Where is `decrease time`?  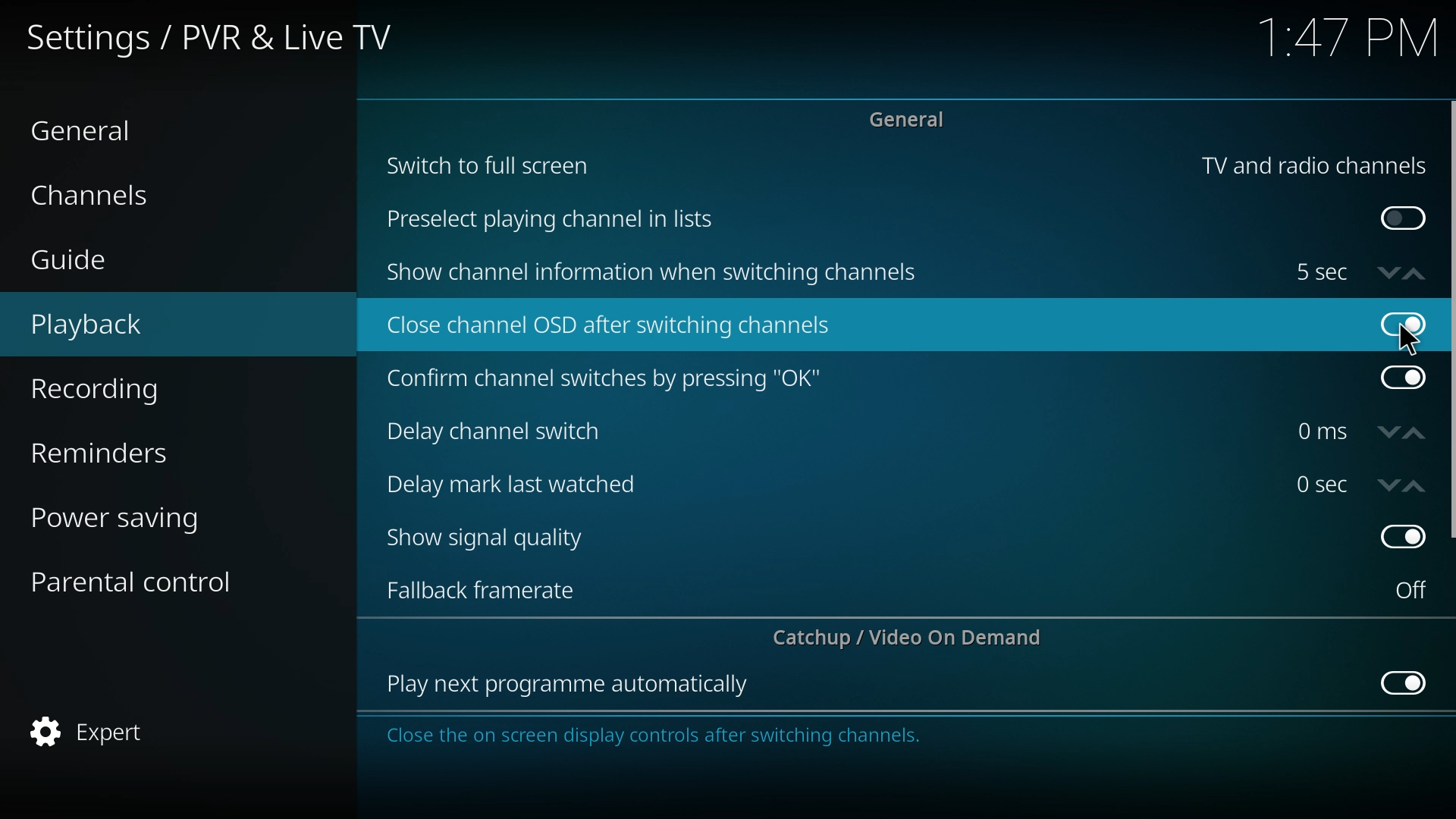 decrease time is located at coordinates (1389, 485).